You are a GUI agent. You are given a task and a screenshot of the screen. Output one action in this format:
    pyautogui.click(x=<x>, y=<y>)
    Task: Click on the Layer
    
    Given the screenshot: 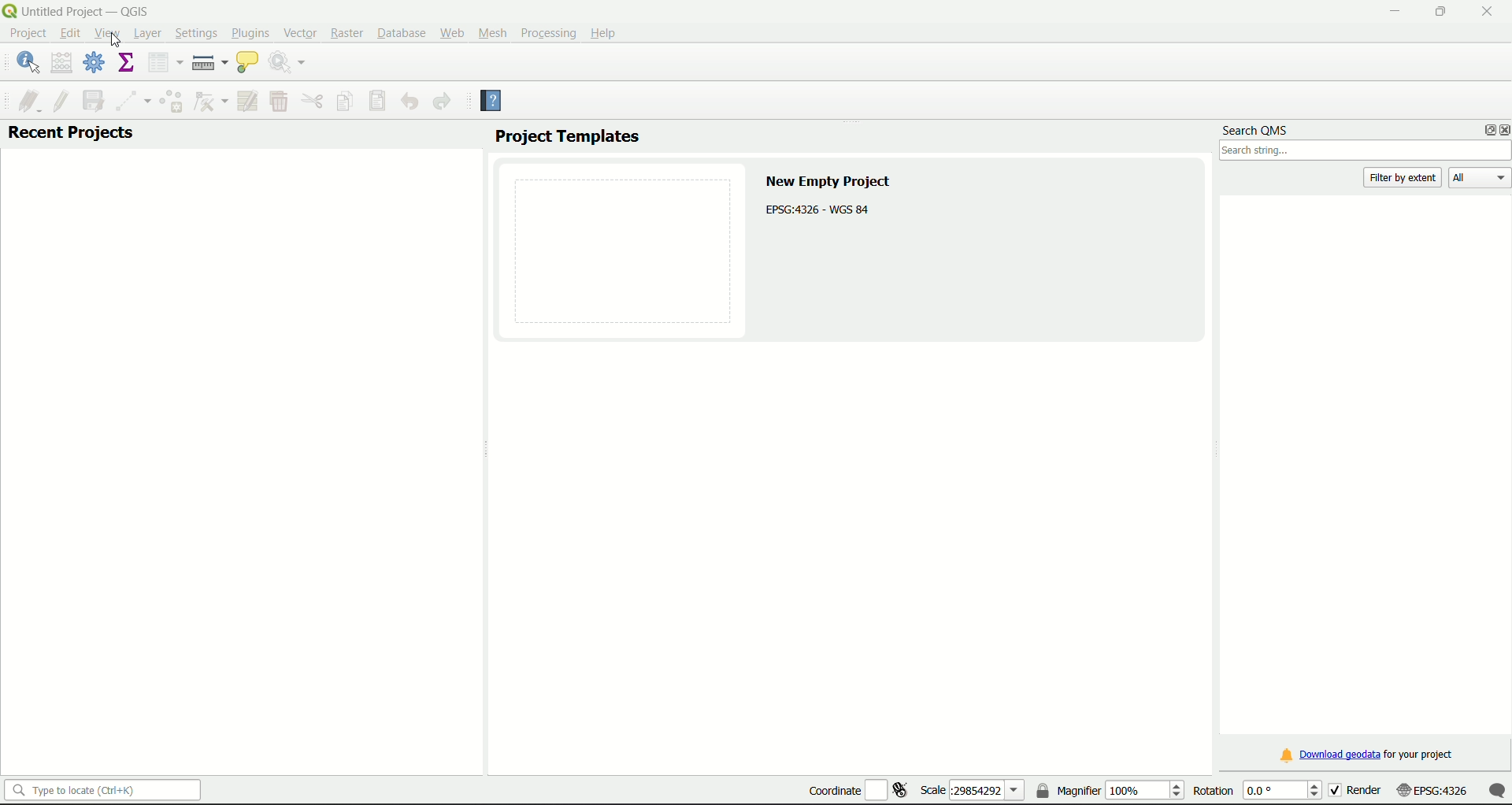 What is the action you would take?
    pyautogui.click(x=148, y=35)
    